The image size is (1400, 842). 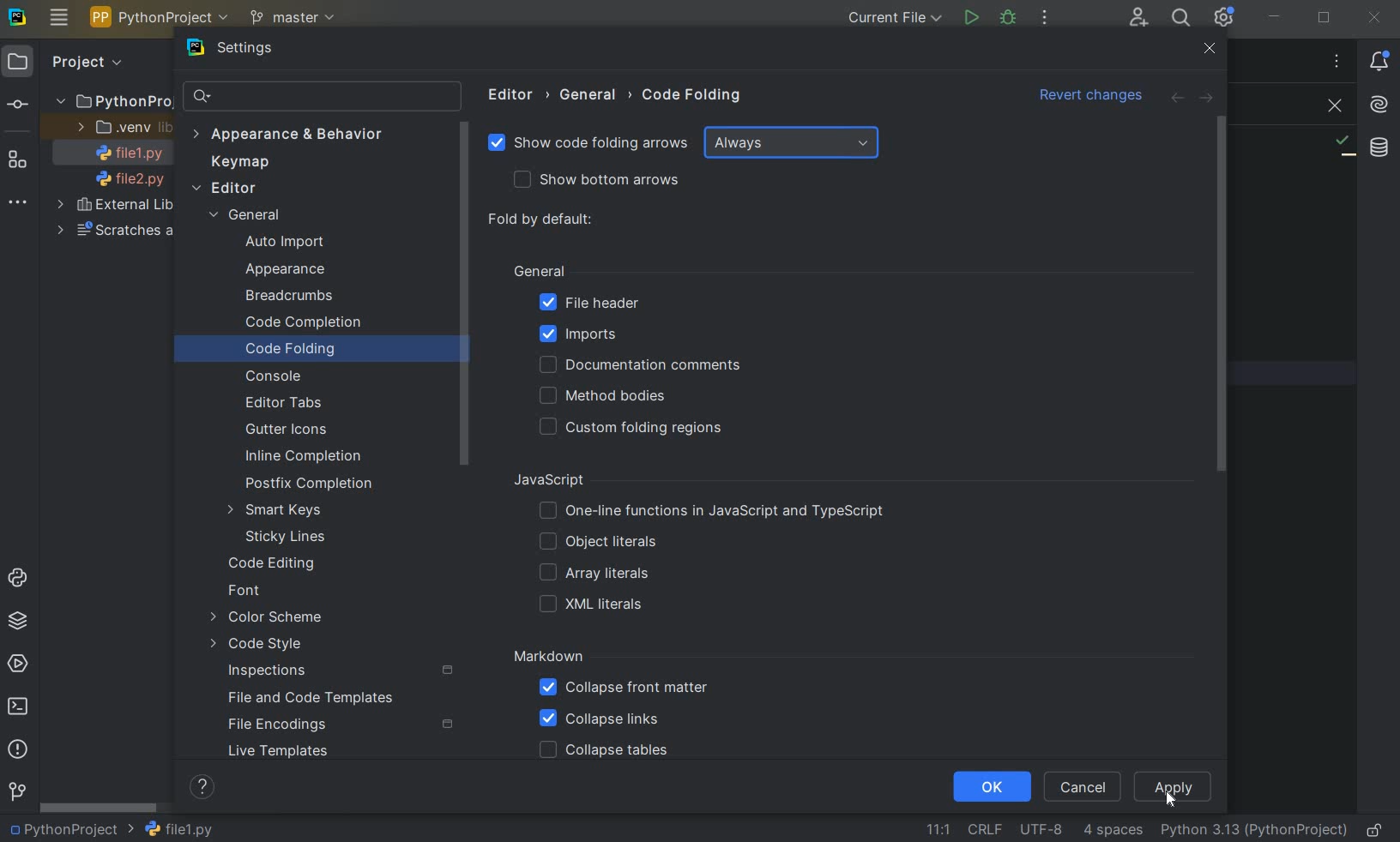 I want to click on TERMINAL, so click(x=22, y=703).